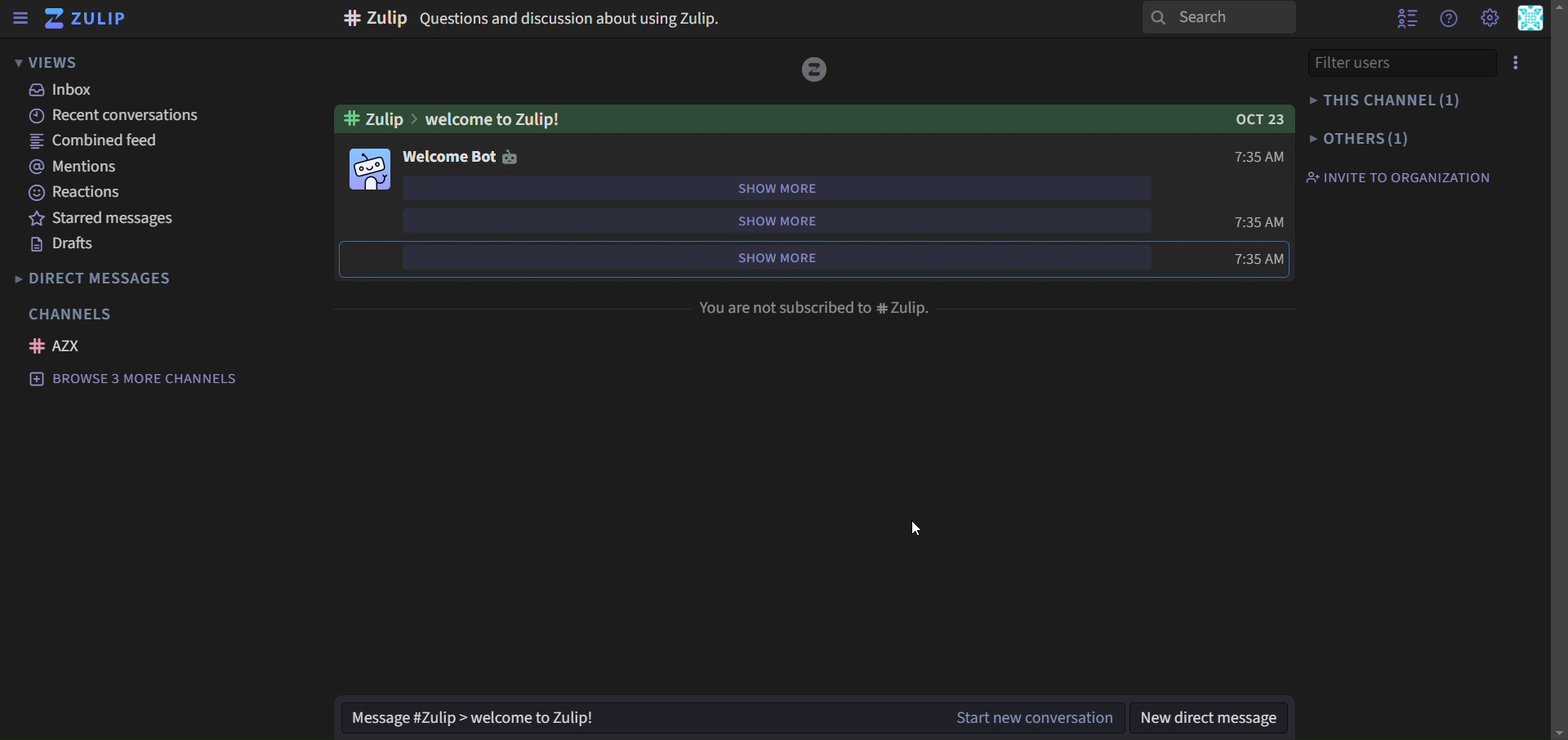  Describe the element at coordinates (1212, 718) in the screenshot. I see `new direct message` at that location.